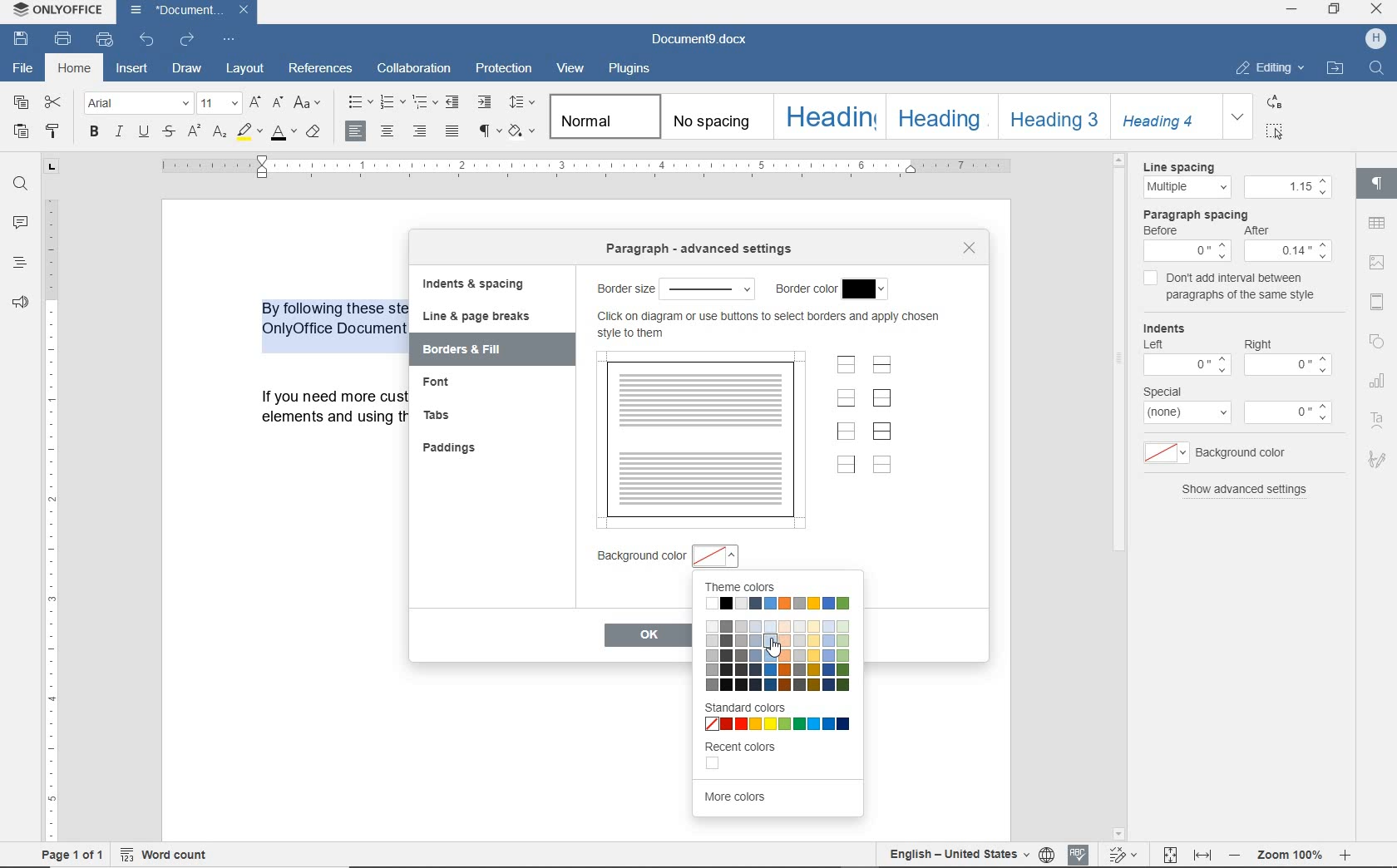 The width and height of the screenshot is (1397, 868). What do you see at coordinates (700, 249) in the screenshot?
I see `paragraph advanced settings` at bounding box center [700, 249].